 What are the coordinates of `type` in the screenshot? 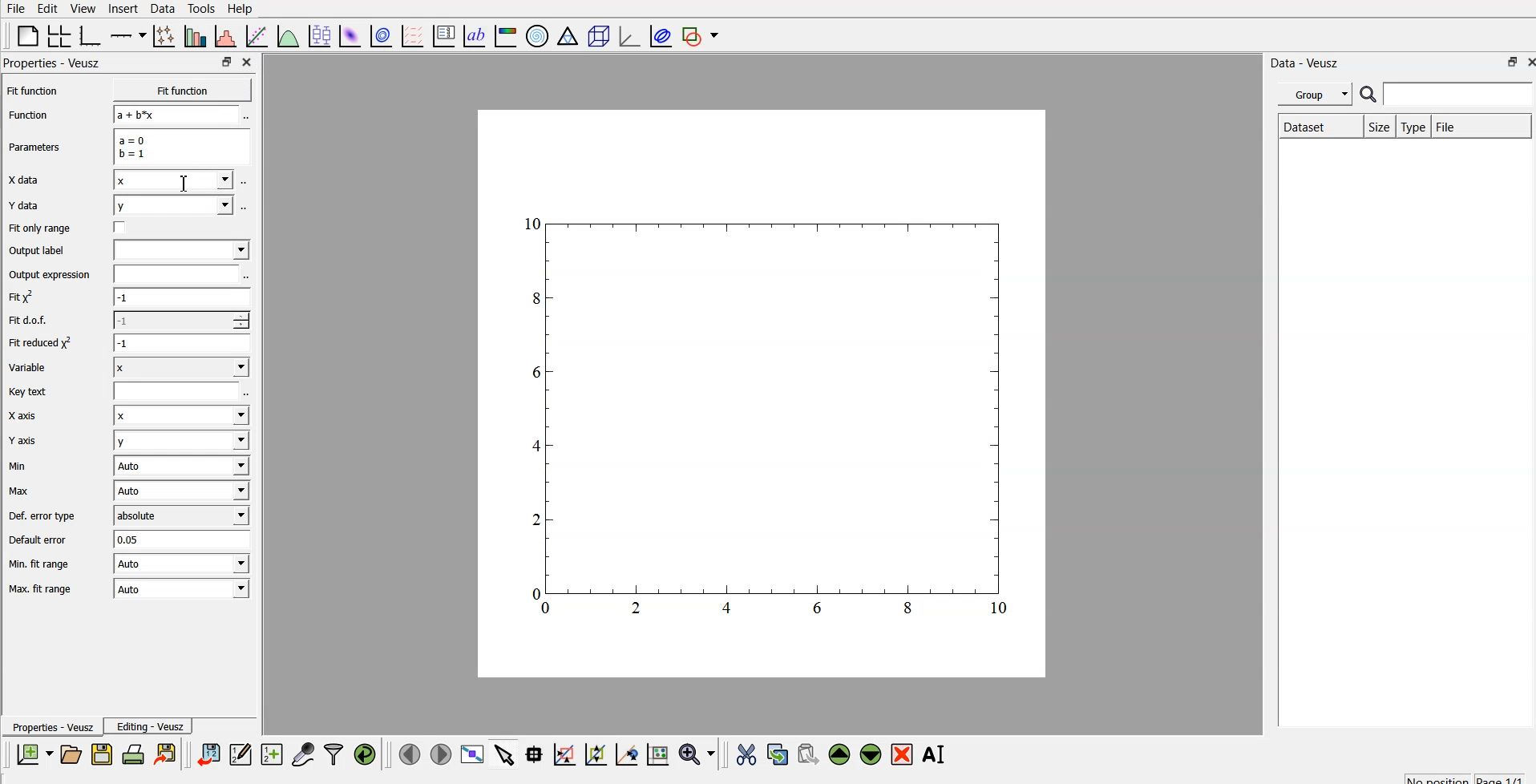 It's located at (1413, 127).